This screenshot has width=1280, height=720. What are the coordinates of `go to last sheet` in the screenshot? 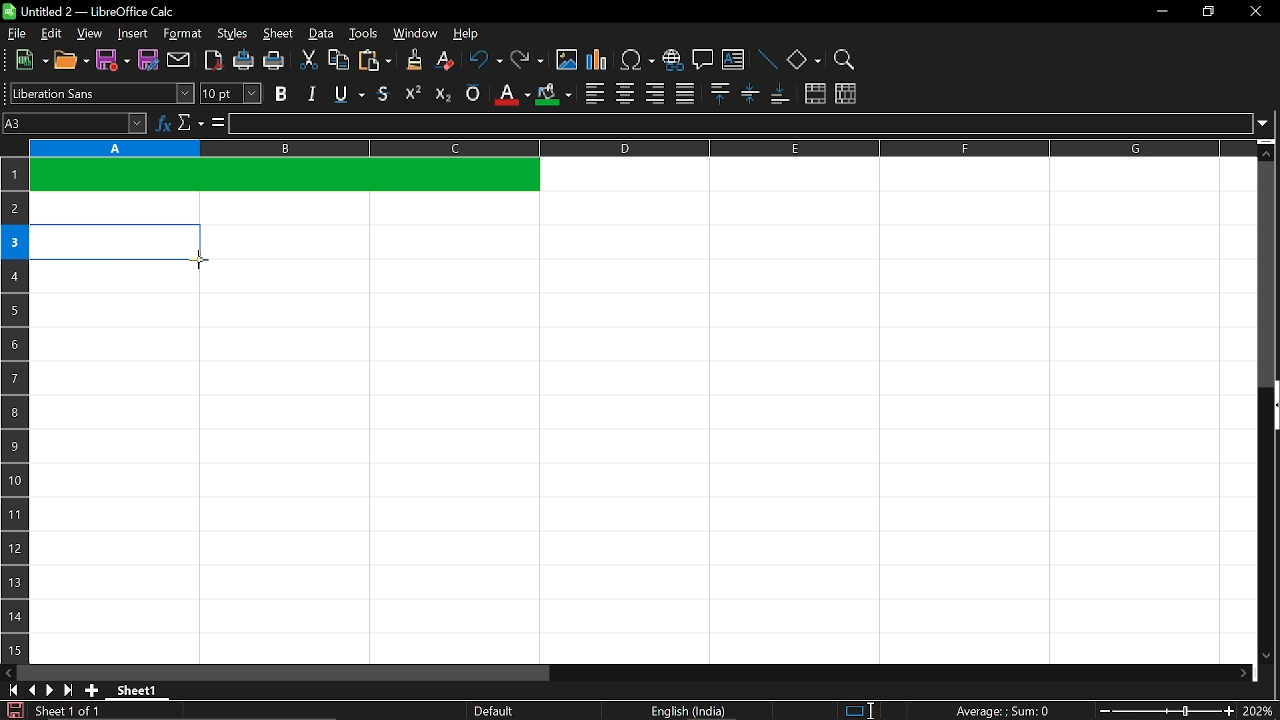 It's located at (66, 691).